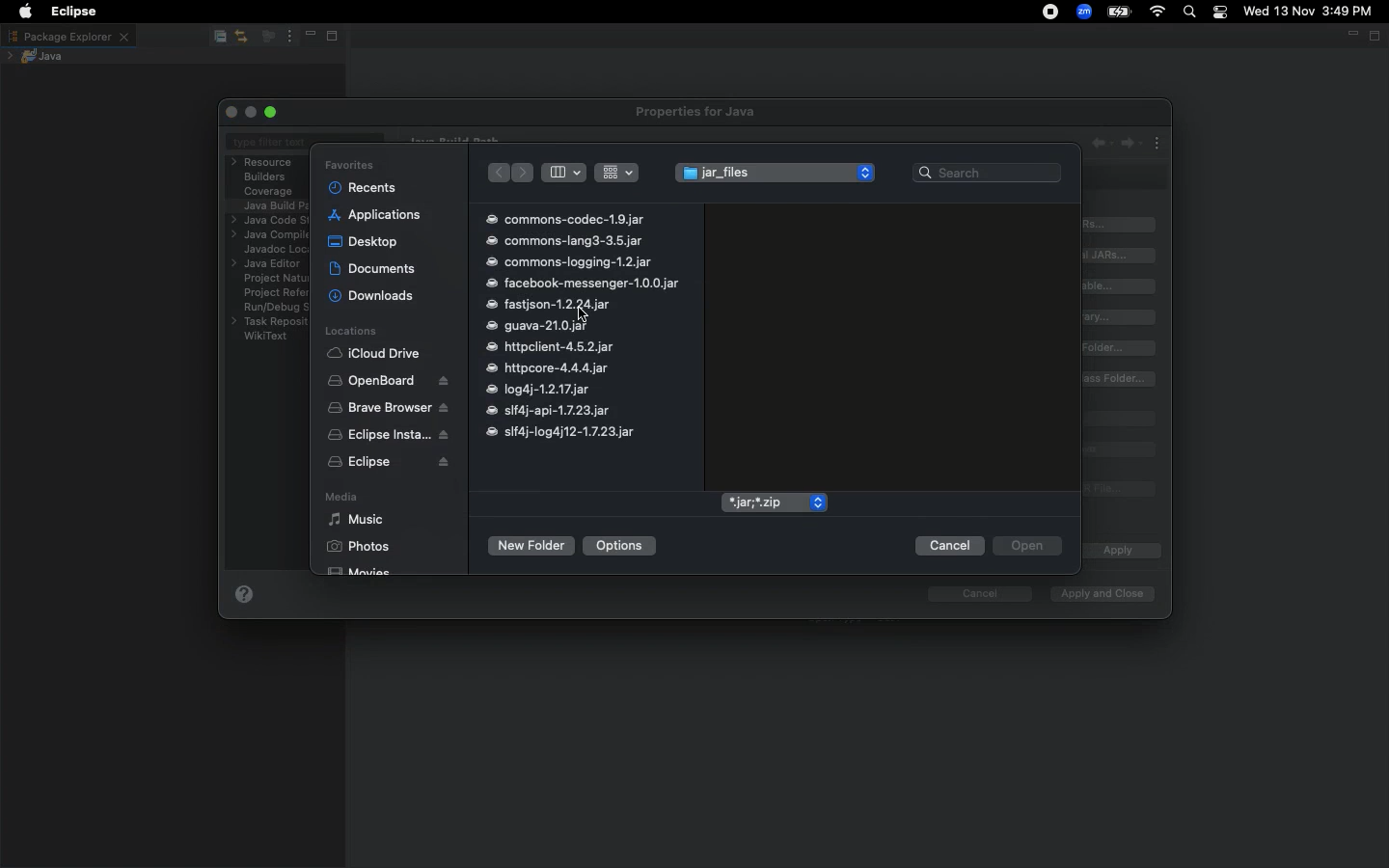  What do you see at coordinates (268, 236) in the screenshot?
I see `Java compiler` at bounding box center [268, 236].